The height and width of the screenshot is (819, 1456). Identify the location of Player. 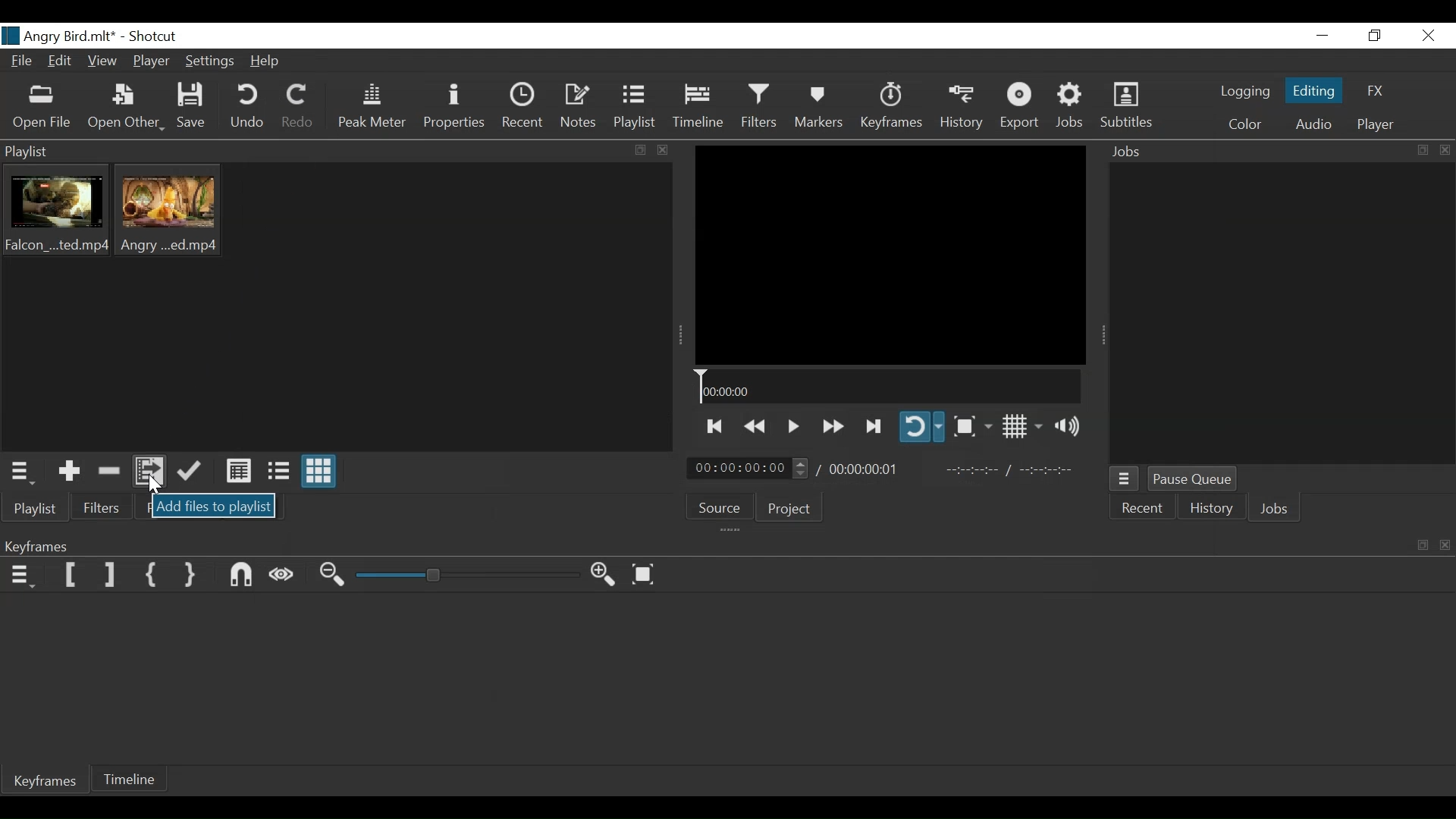
(1372, 126).